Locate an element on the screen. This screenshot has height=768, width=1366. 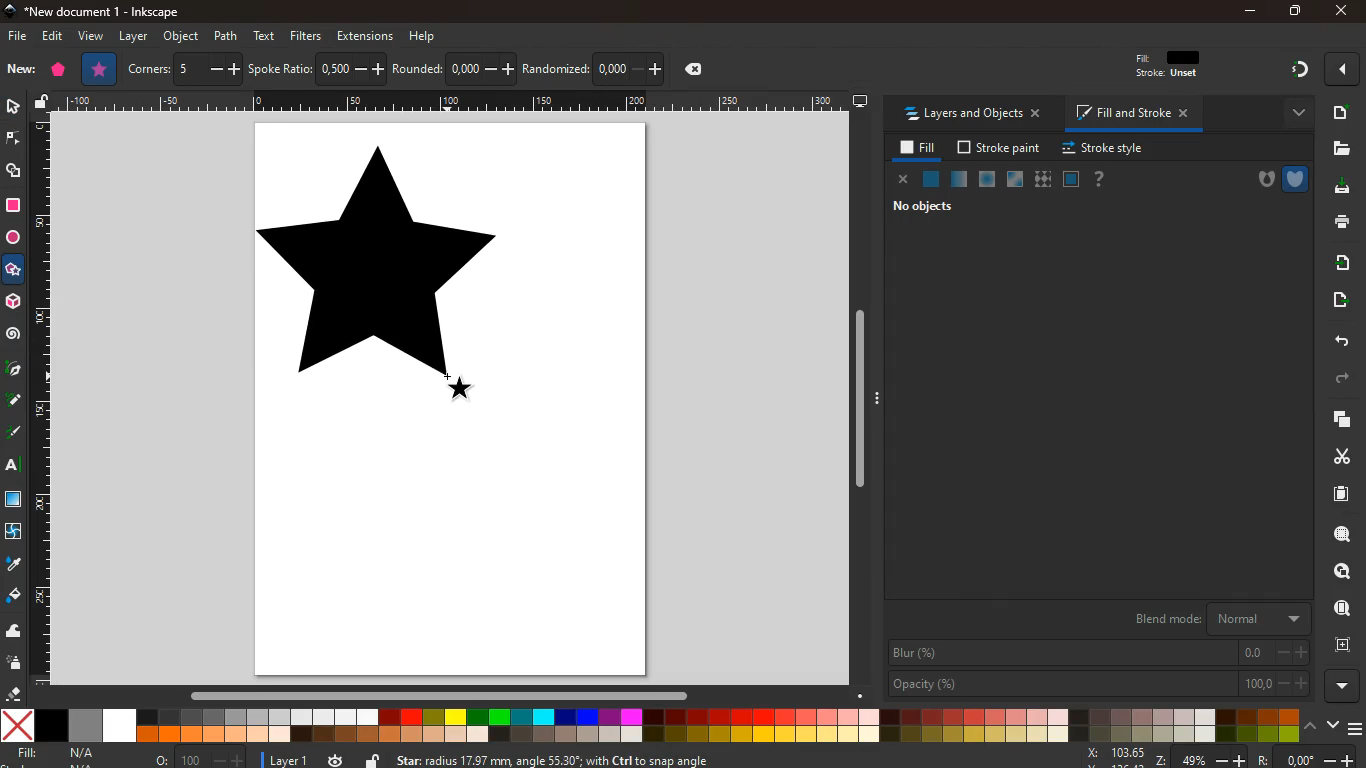
sheet is located at coordinates (1334, 498).